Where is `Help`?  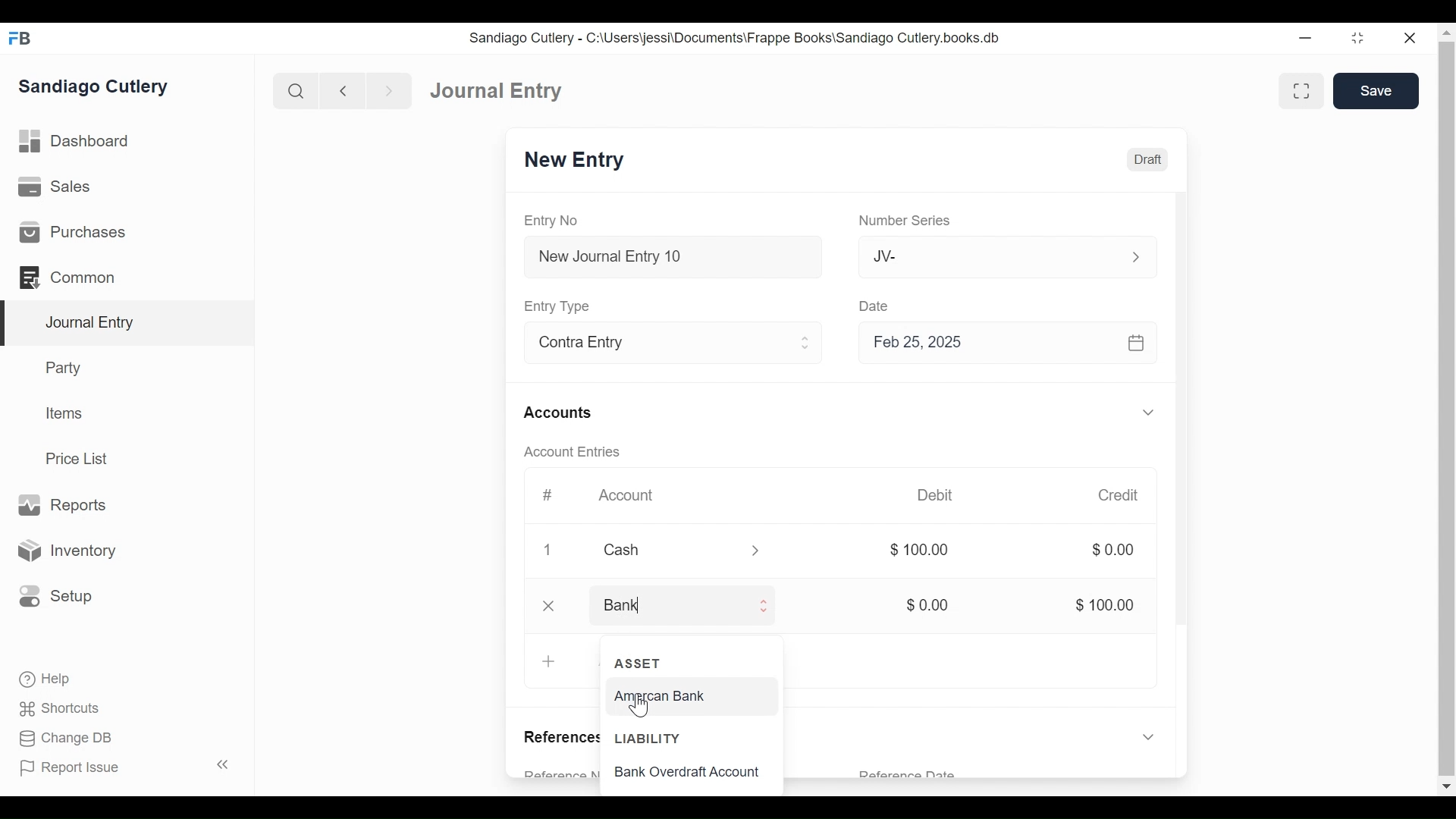 Help is located at coordinates (42, 677).